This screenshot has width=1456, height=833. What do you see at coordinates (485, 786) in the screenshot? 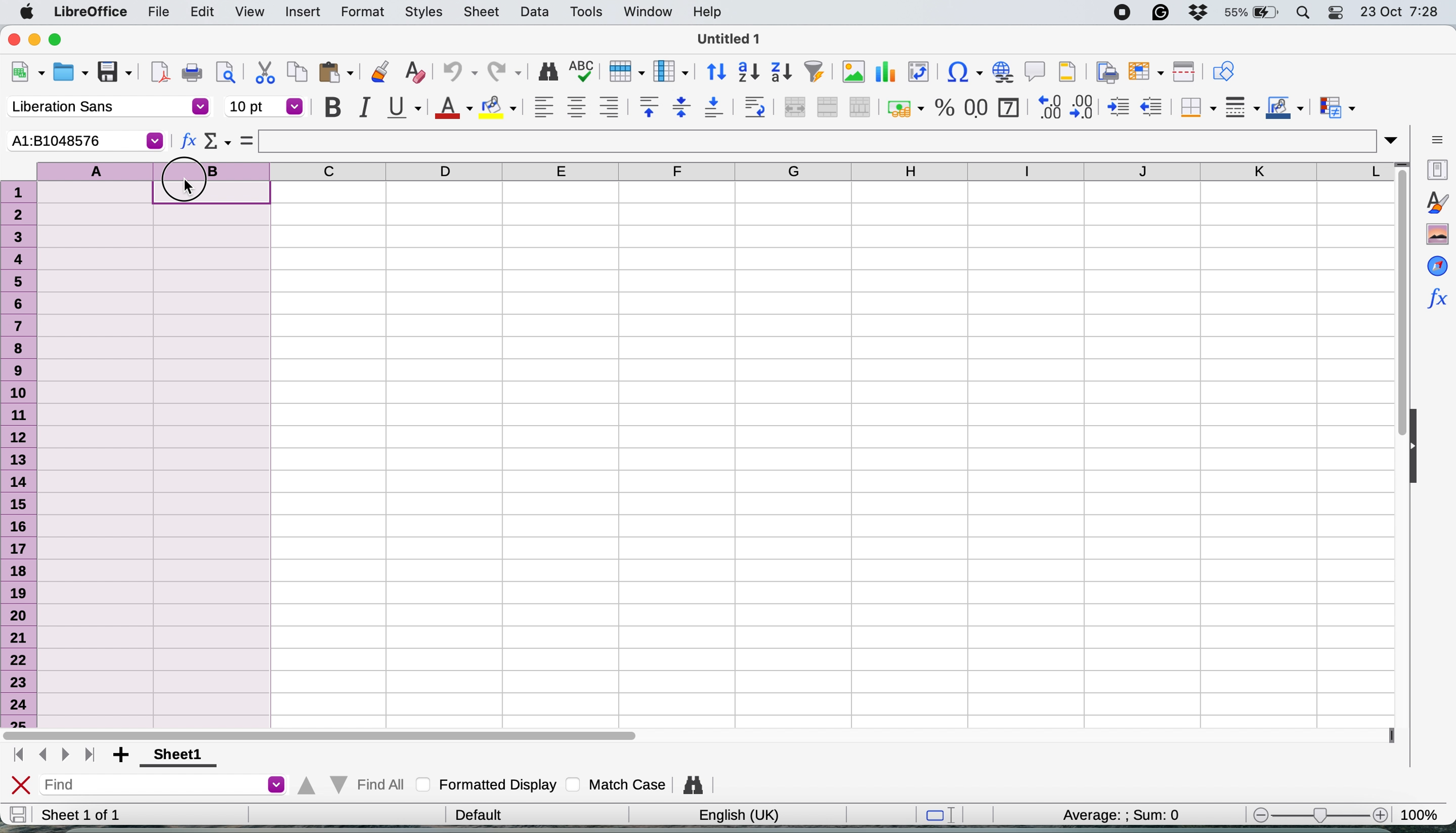
I see `formatted display` at bounding box center [485, 786].